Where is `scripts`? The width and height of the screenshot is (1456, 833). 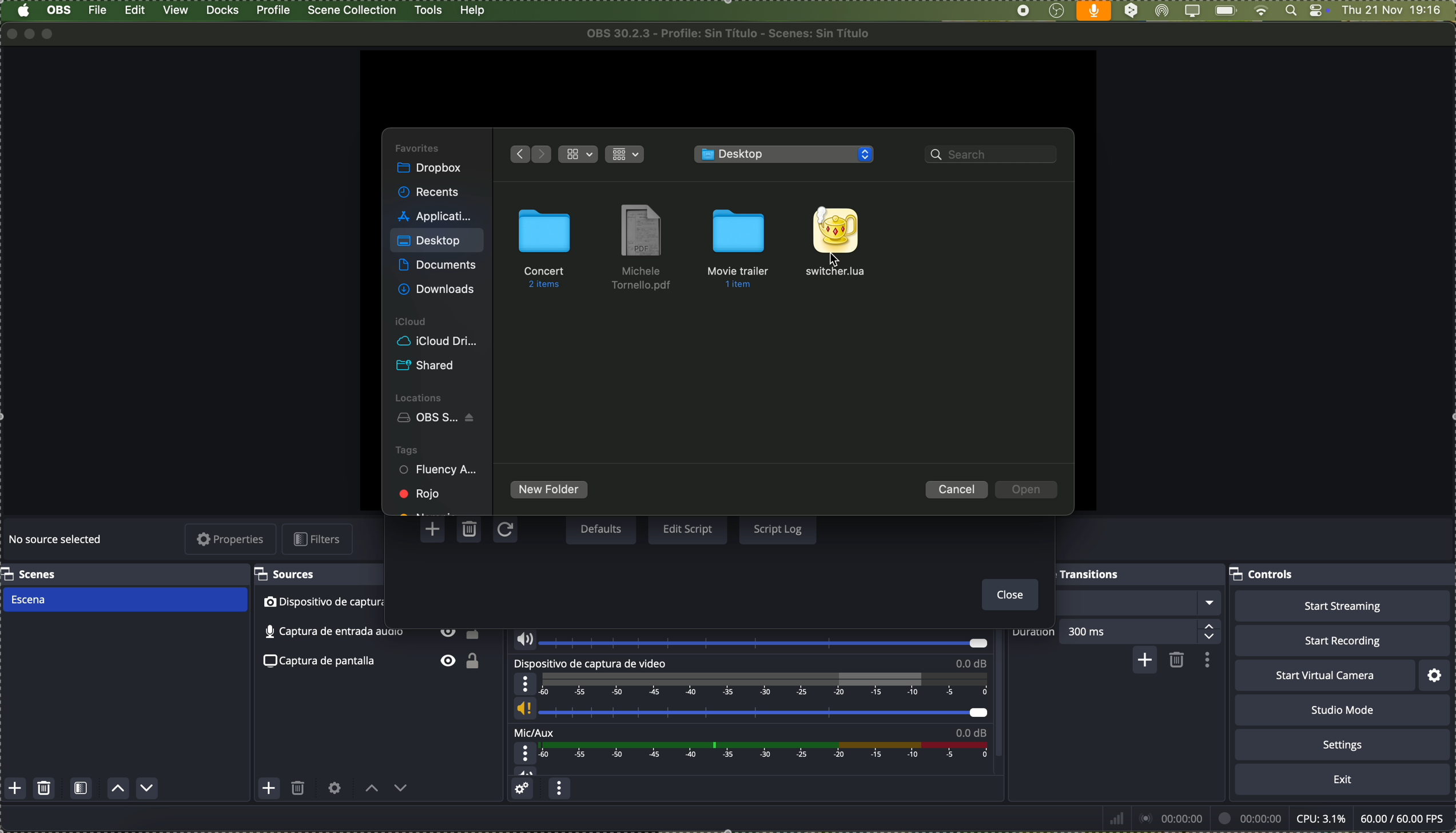 scripts is located at coordinates (786, 155).